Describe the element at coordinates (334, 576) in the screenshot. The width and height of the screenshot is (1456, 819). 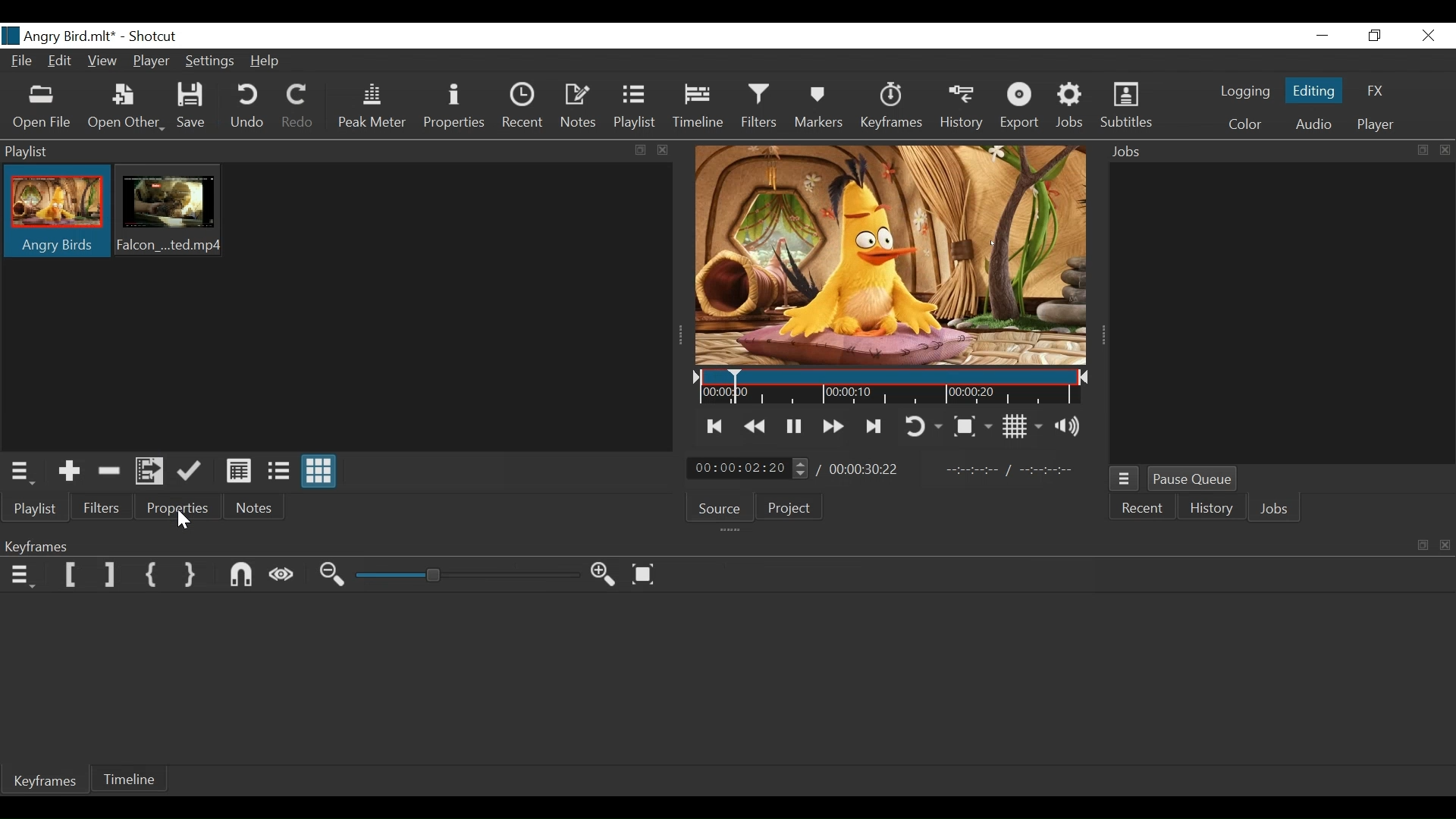
I see `Zoom keyframe out` at that location.